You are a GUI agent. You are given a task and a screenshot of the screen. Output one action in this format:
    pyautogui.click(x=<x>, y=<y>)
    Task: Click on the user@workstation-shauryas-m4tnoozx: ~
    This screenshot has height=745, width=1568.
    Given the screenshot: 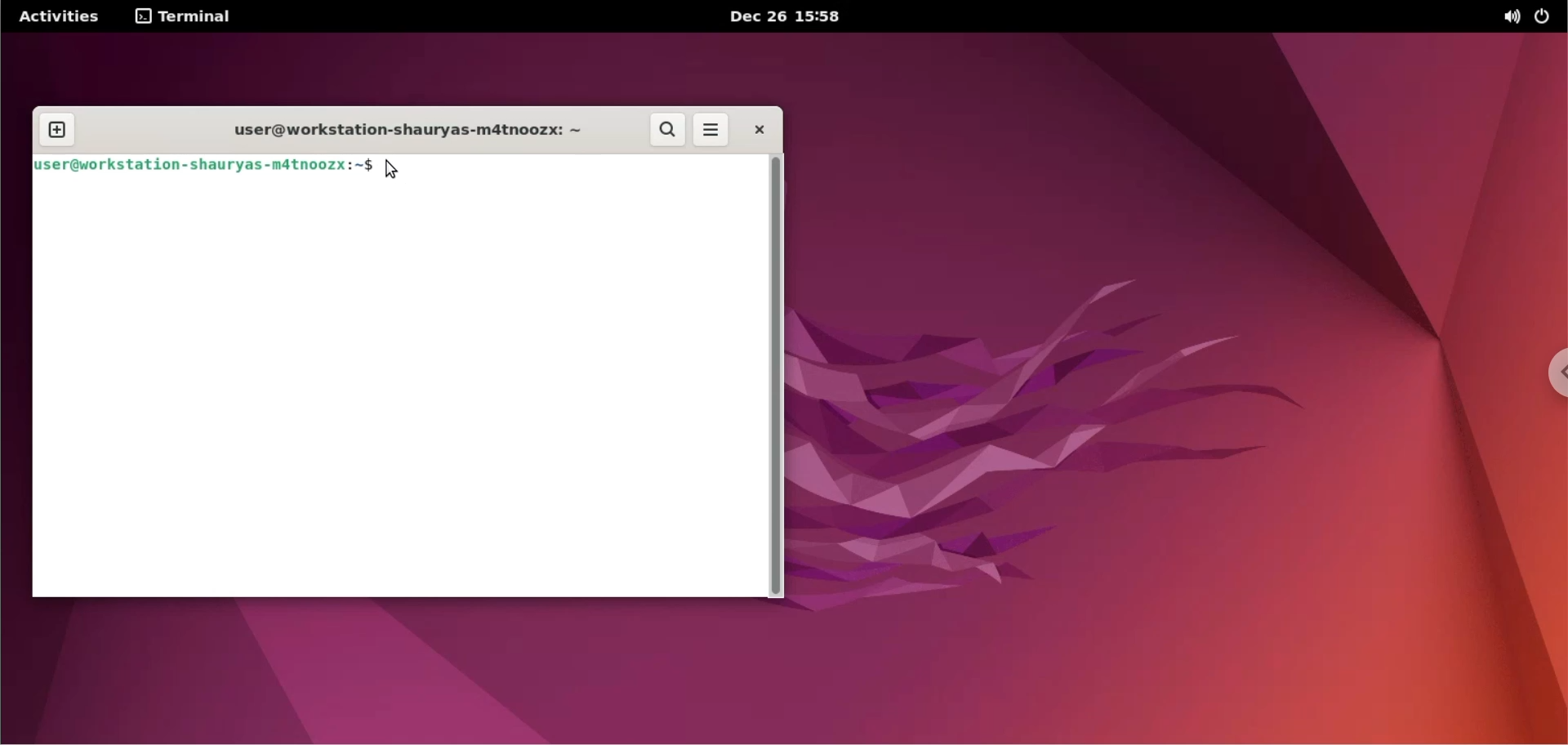 What is the action you would take?
    pyautogui.click(x=404, y=130)
    